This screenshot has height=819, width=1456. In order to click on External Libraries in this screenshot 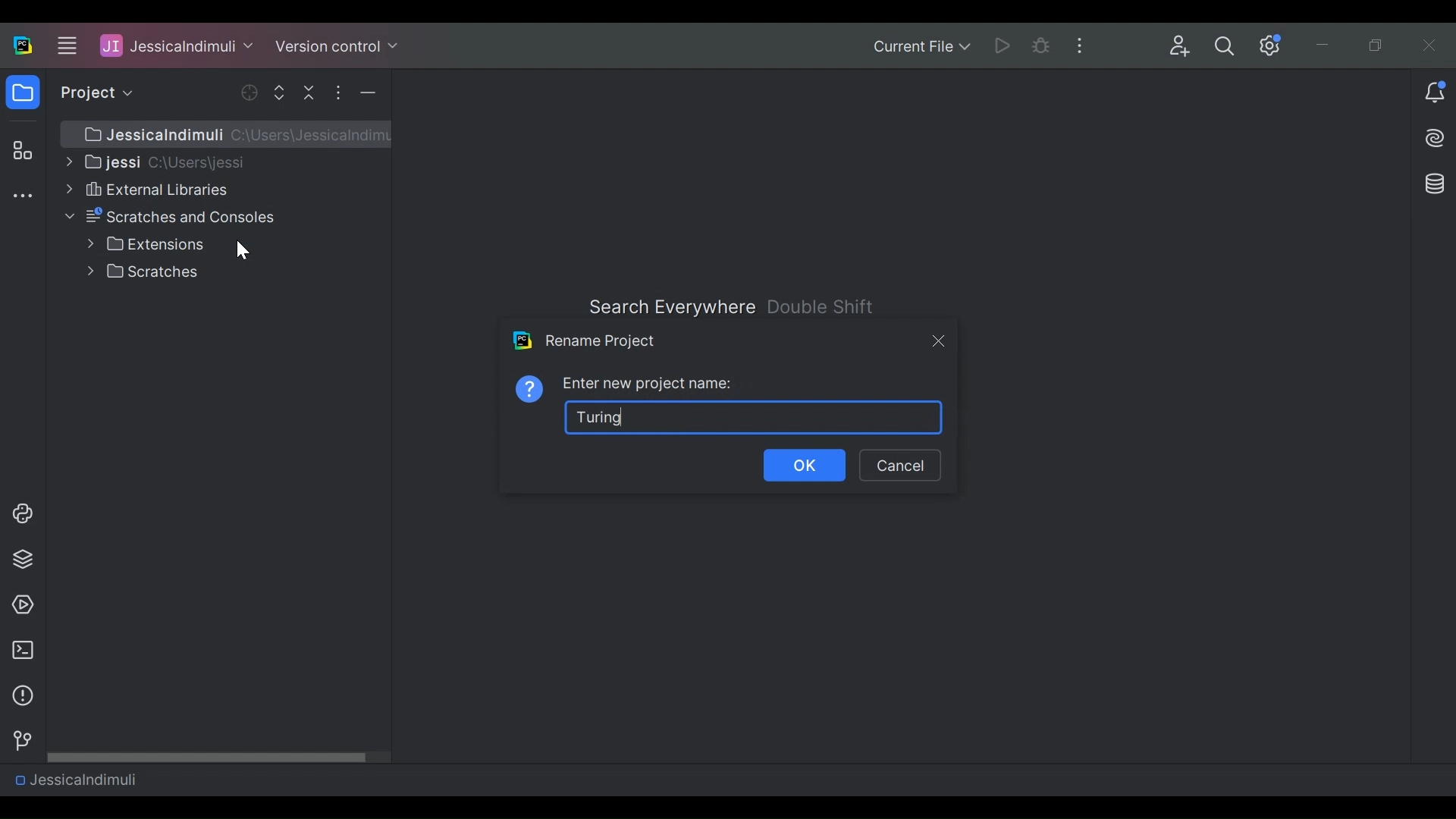, I will do `click(145, 189)`.